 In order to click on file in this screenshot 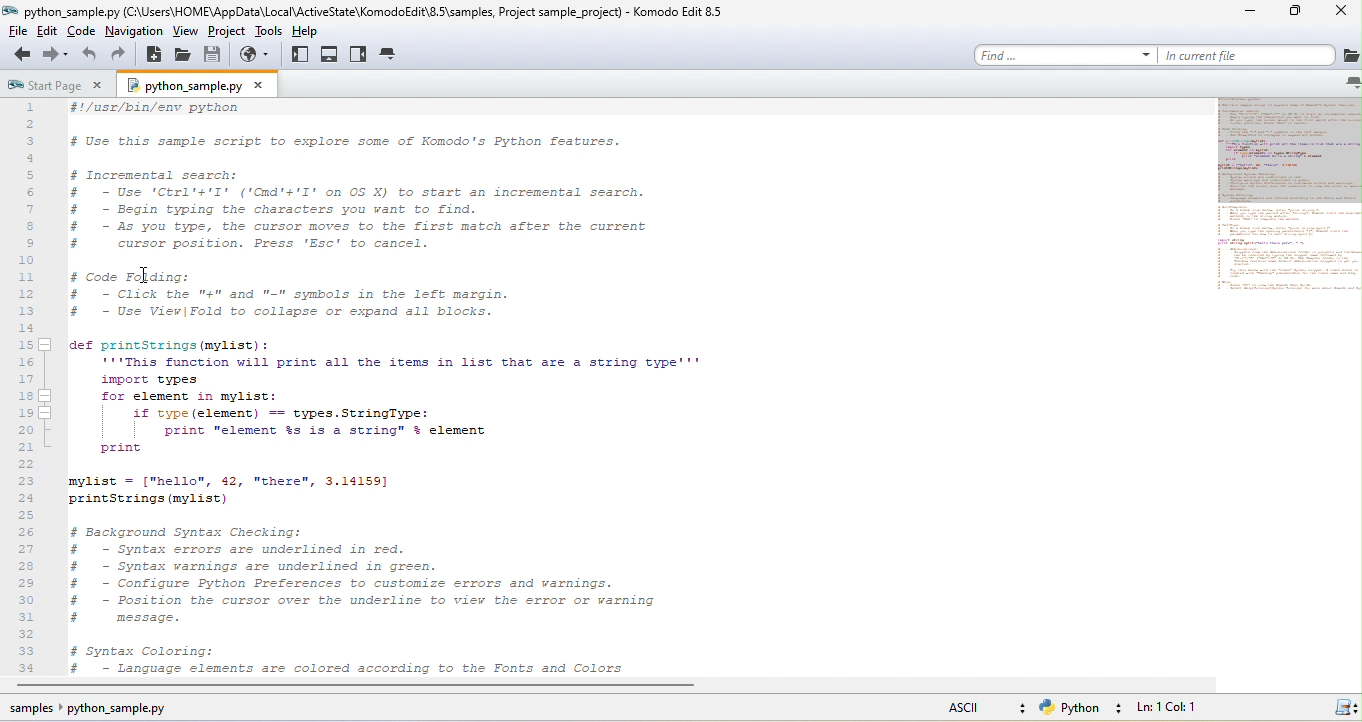, I will do `click(17, 34)`.